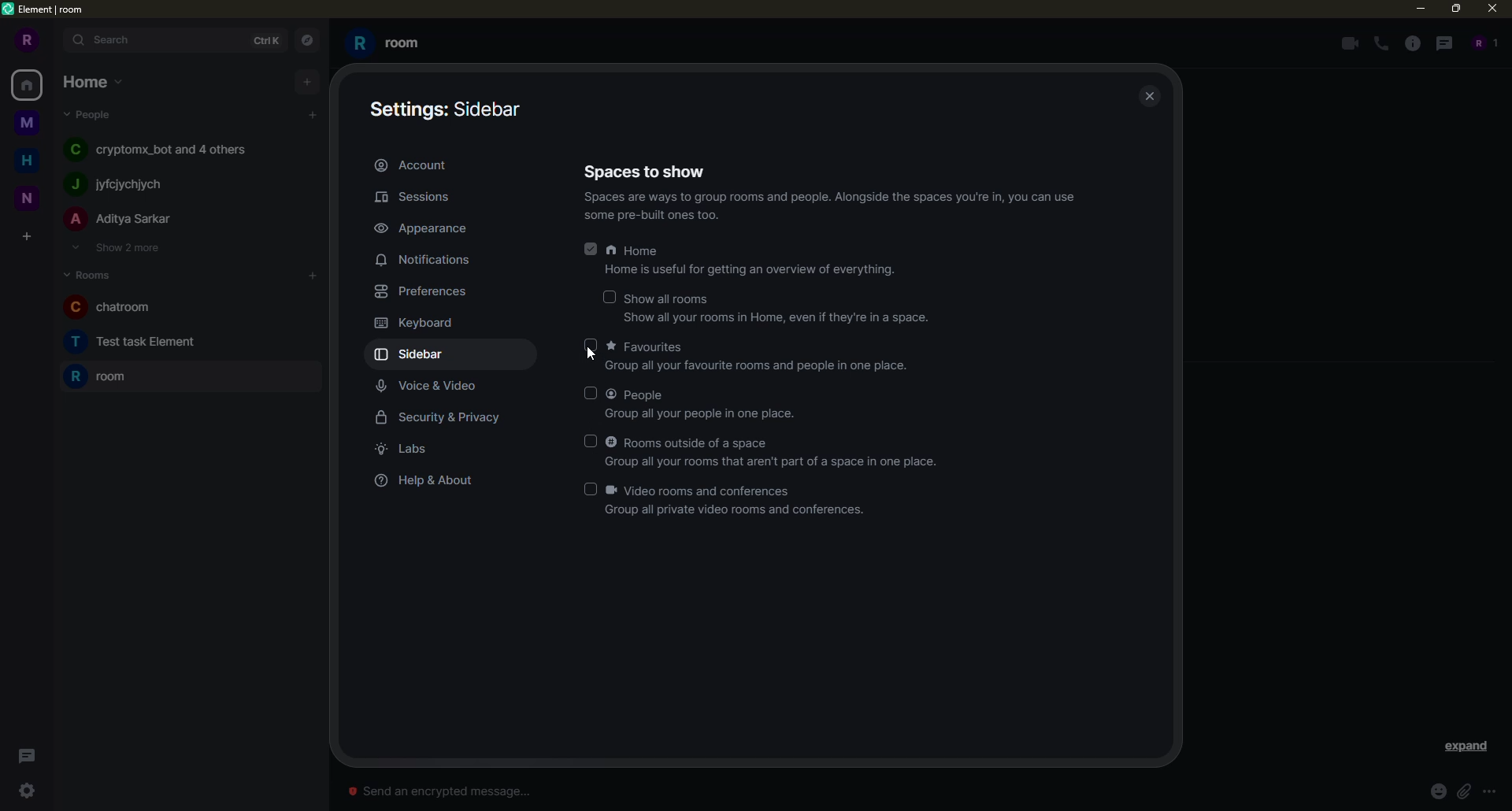 This screenshot has height=811, width=1512. What do you see at coordinates (112, 40) in the screenshot?
I see `search` at bounding box center [112, 40].